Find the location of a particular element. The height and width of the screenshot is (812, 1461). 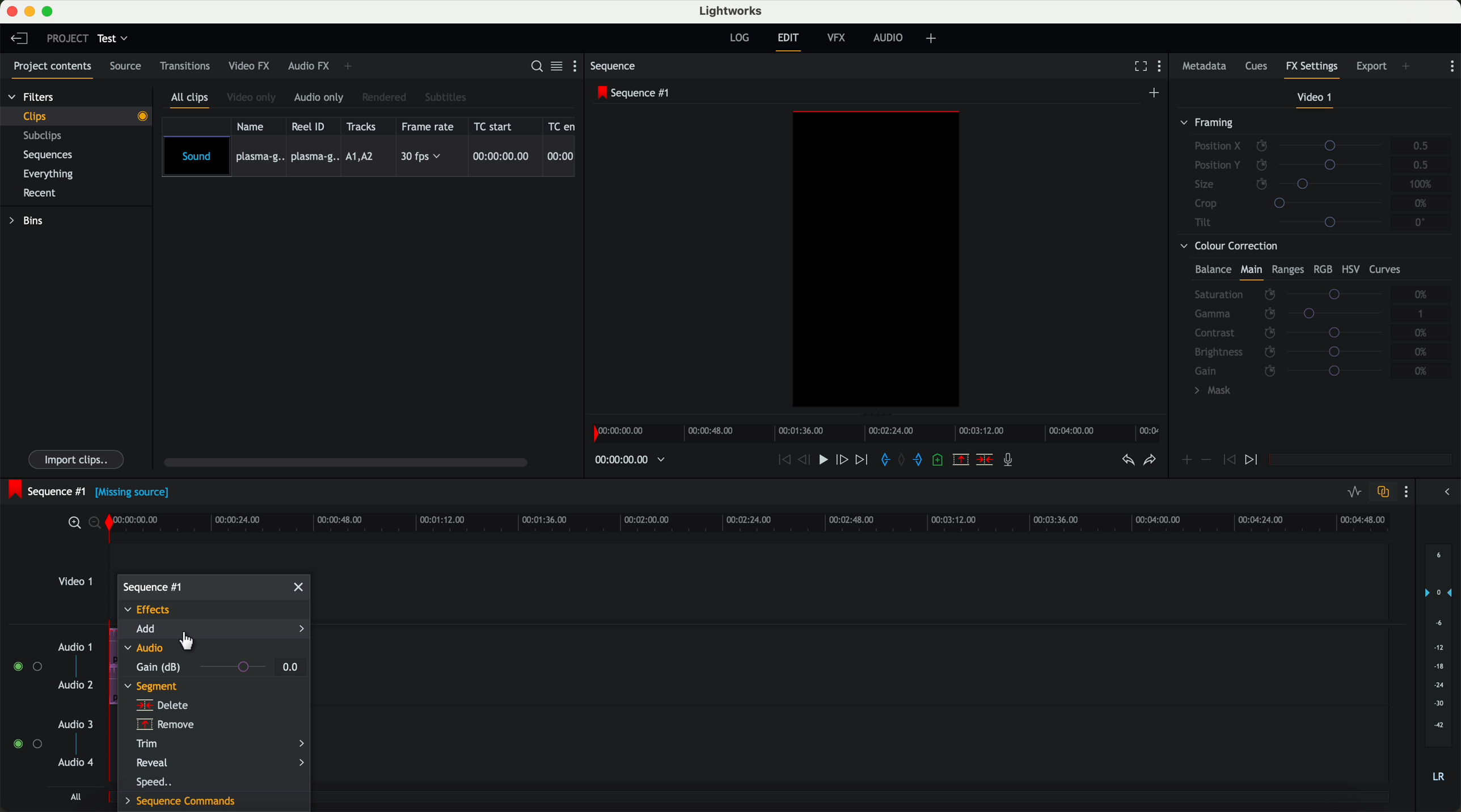

name is located at coordinates (254, 126).